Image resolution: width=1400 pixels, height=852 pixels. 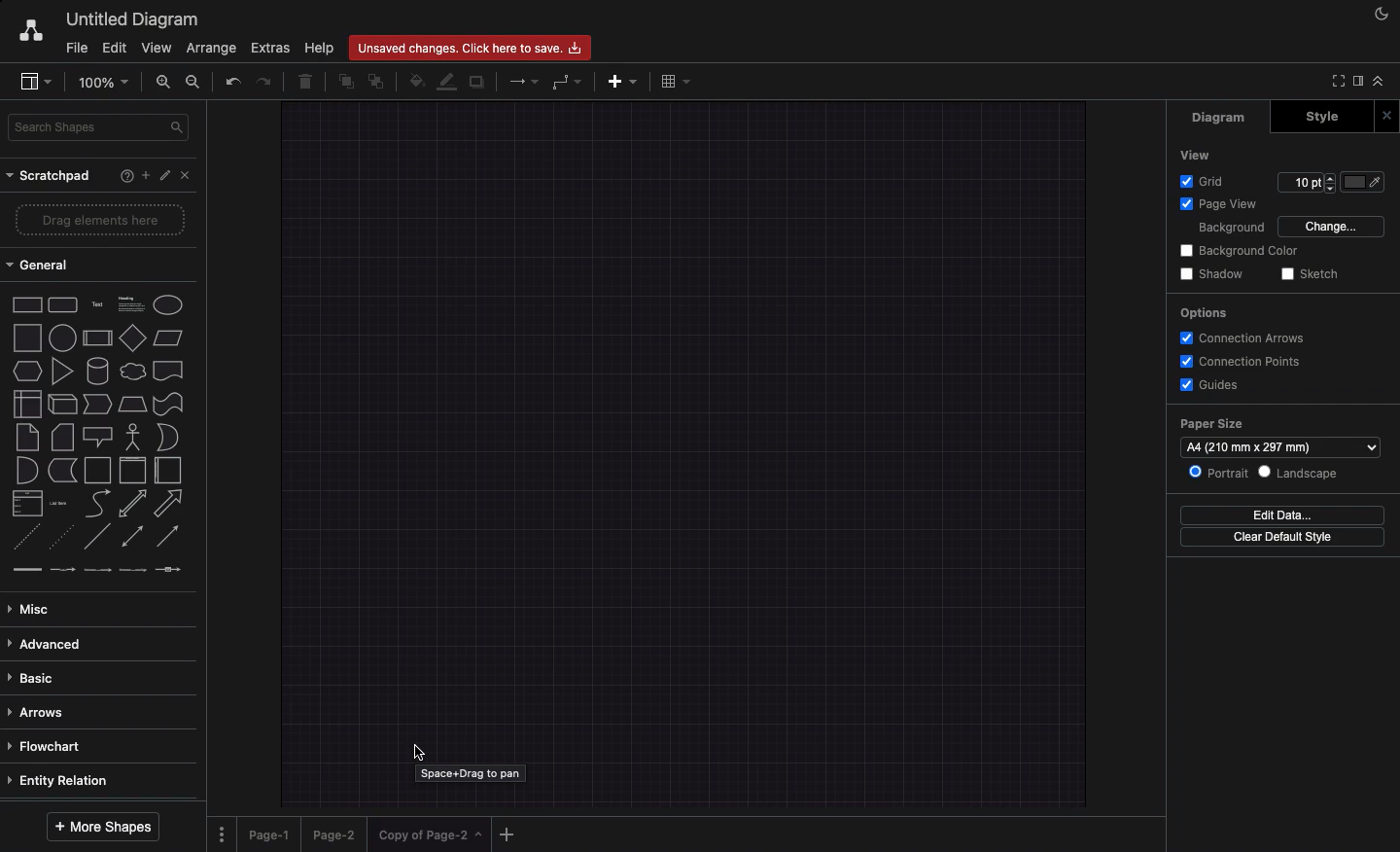 I want to click on Grid, so click(x=1201, y=182).